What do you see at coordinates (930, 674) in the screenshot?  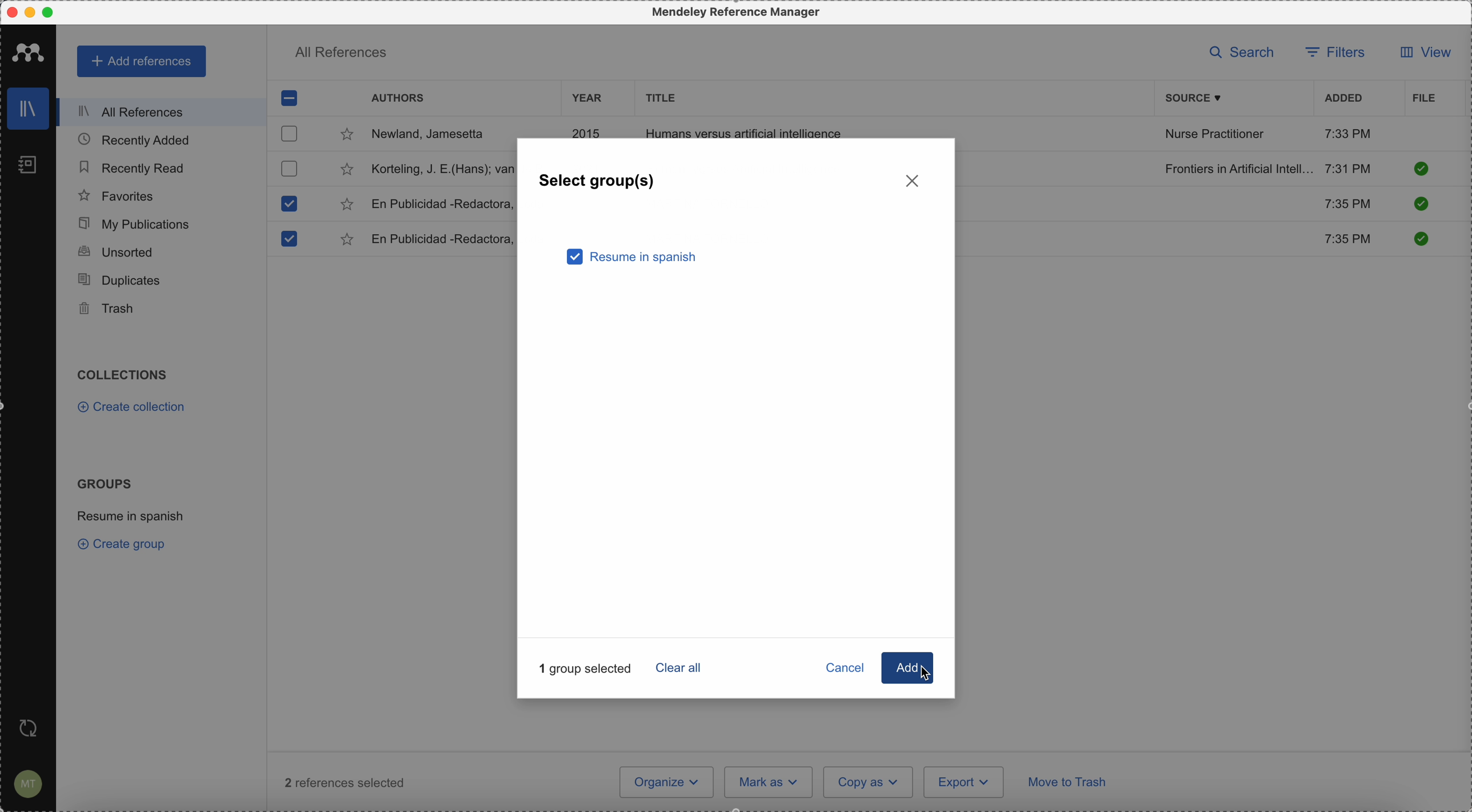 I see `cursor` at bounding box center [930, 674].